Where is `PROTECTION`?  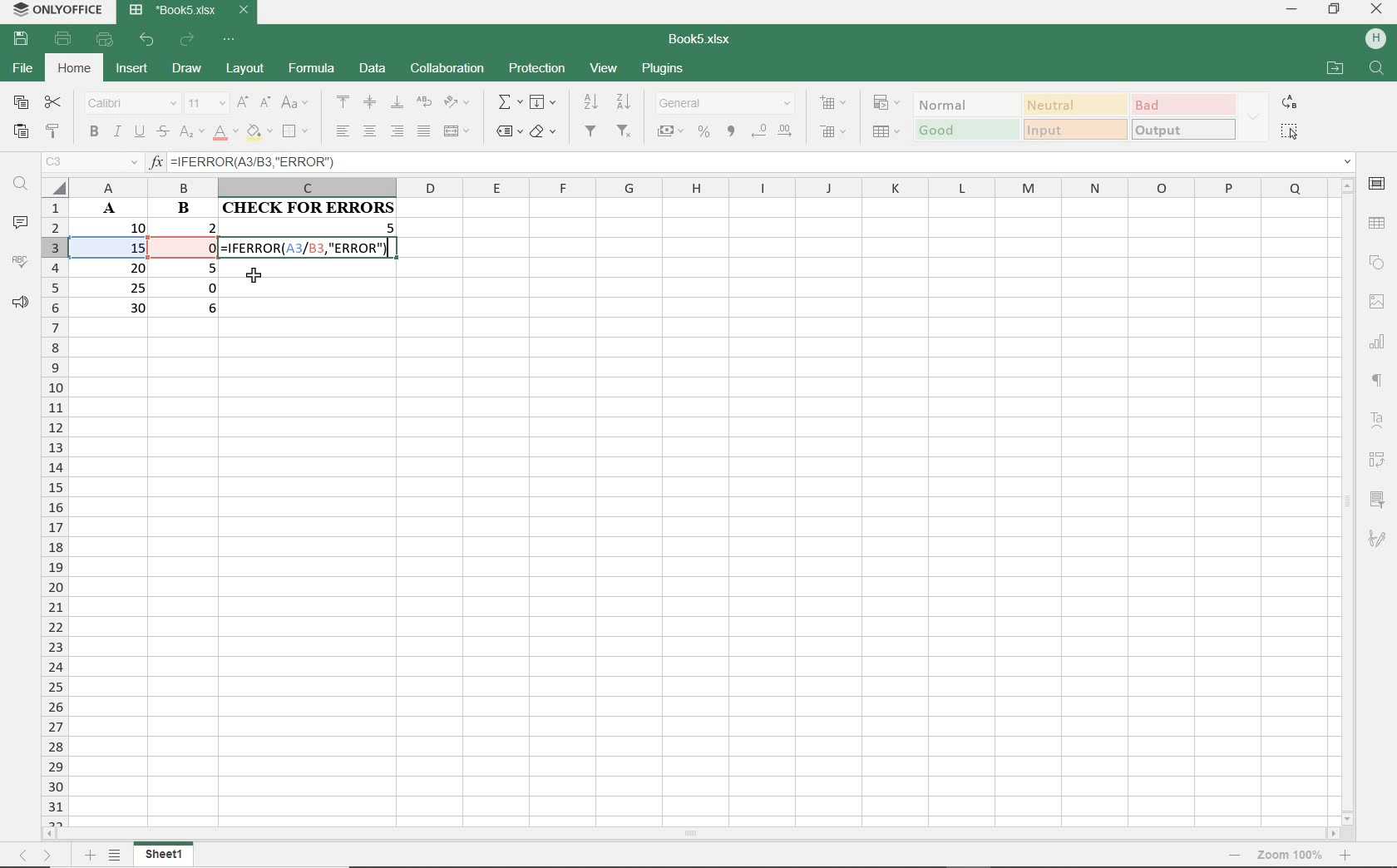 PROTECTION is located at coordinates (536, 69).